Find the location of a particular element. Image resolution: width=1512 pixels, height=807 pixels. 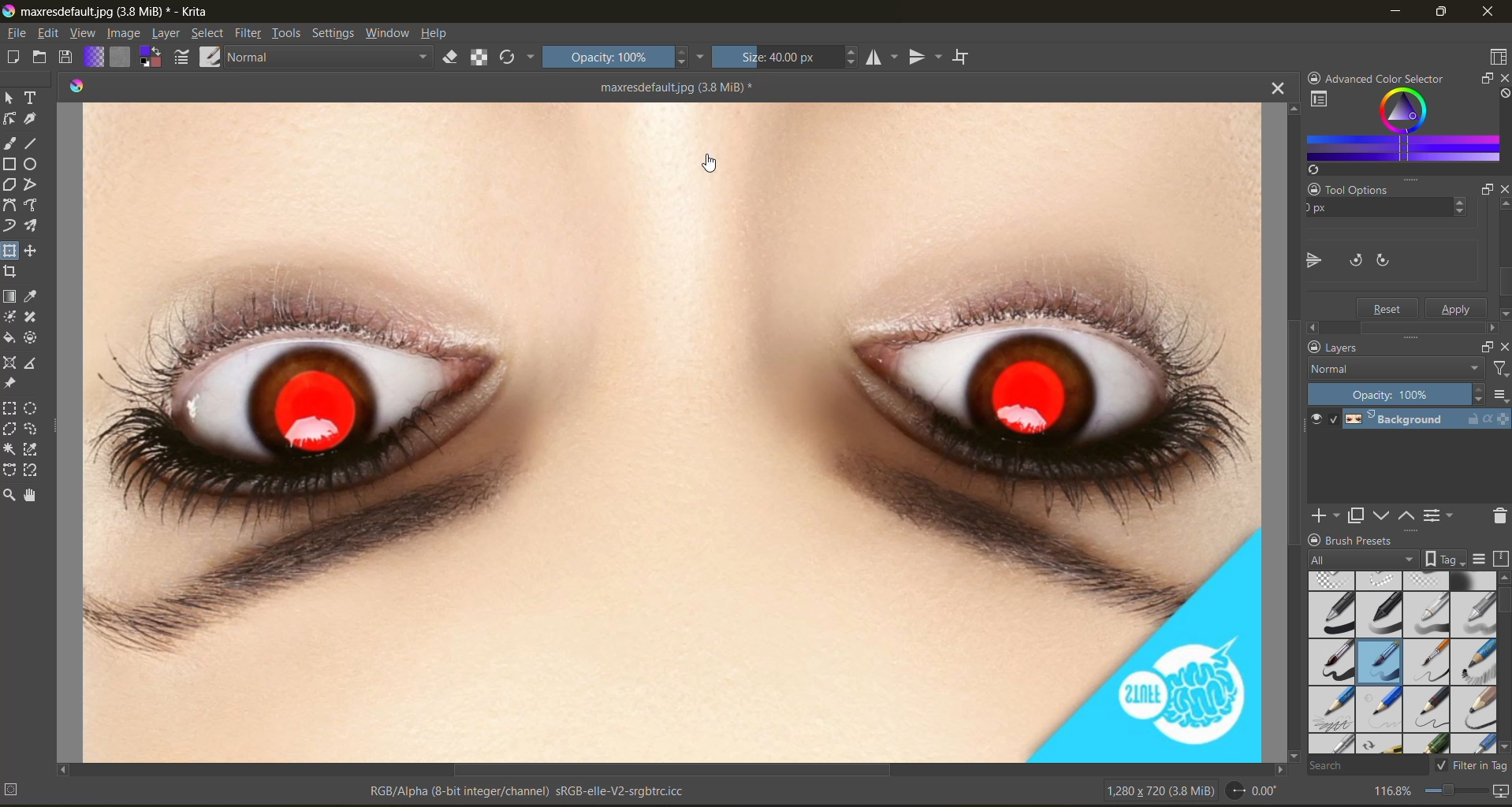

lock docker is located at coordinates (1316, 79).